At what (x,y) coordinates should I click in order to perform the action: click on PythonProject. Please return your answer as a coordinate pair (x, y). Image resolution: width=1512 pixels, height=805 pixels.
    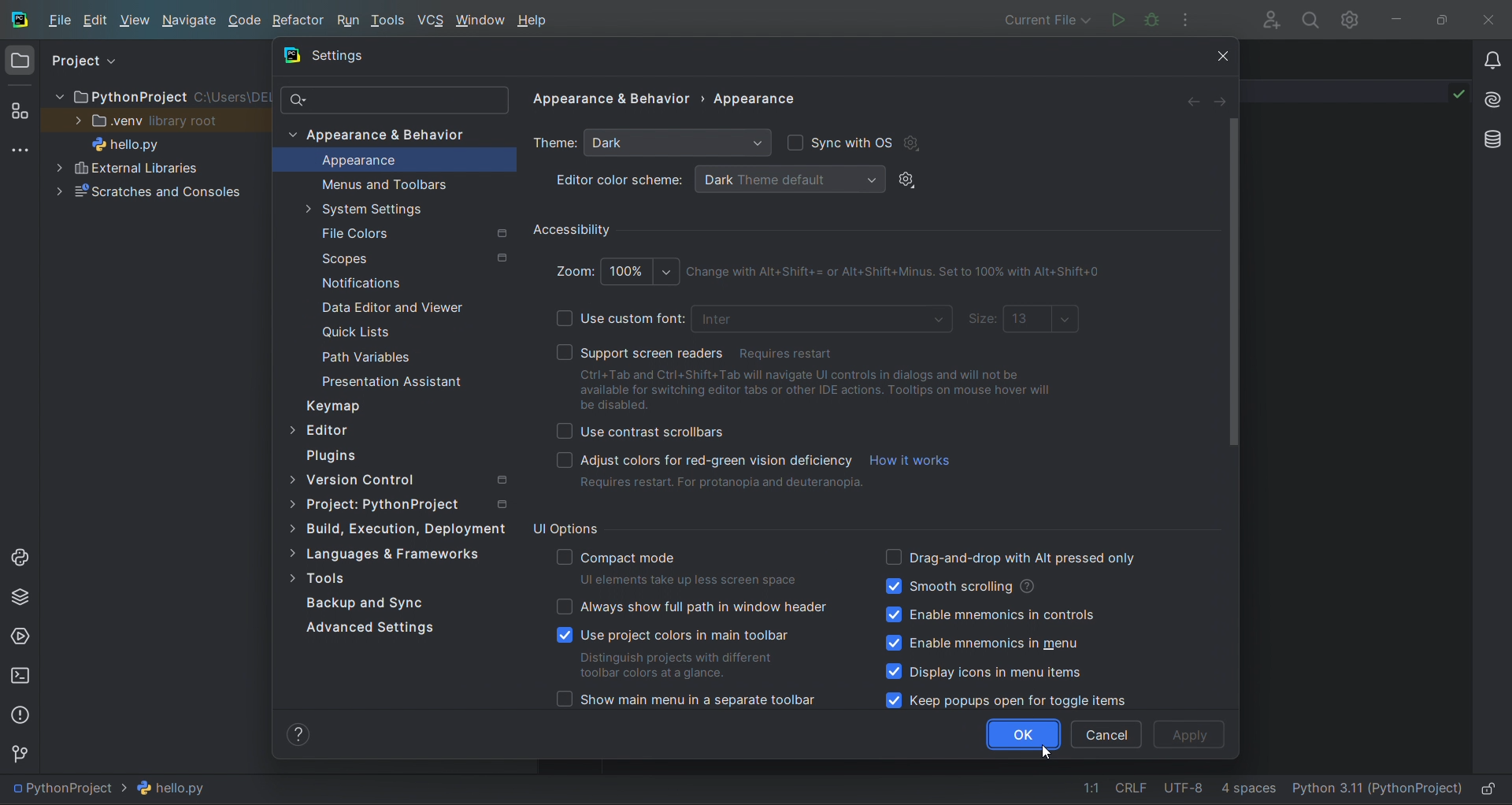
    Looking at the image, I should click on (154, 97).